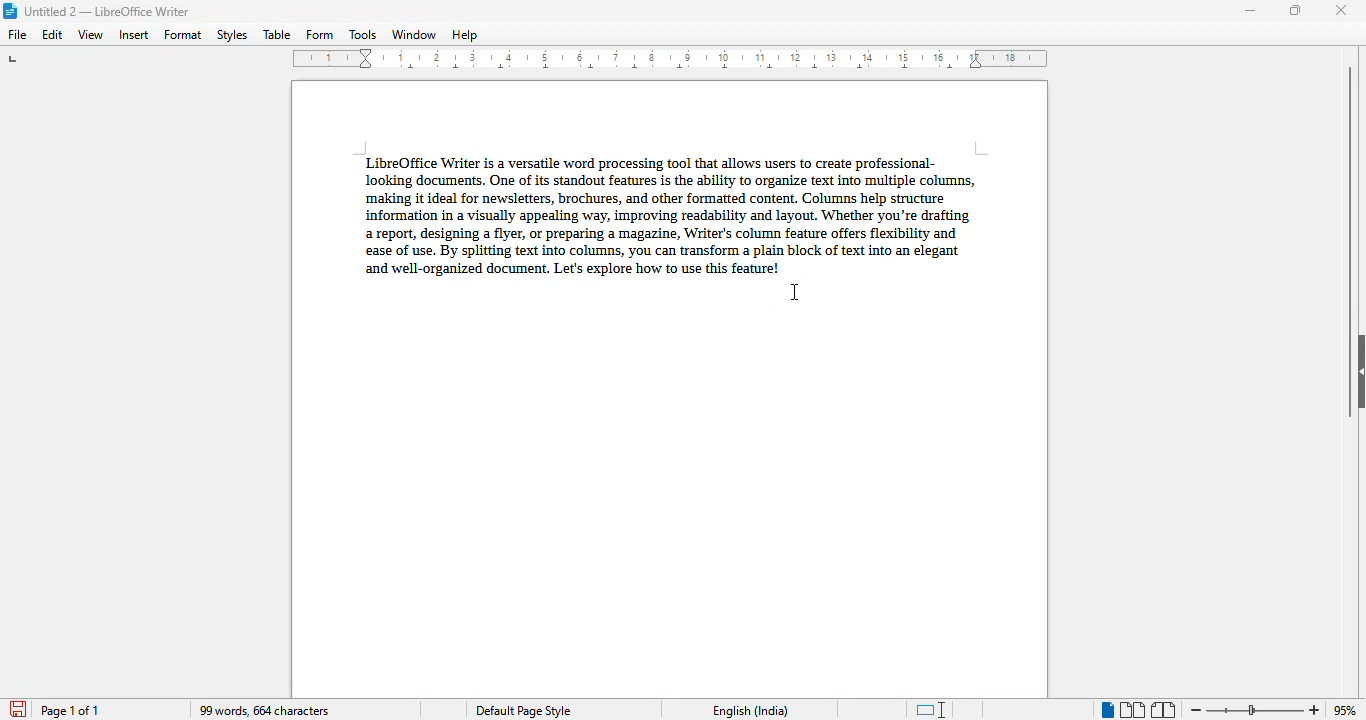 The height and width of the screenshot is (720, 1366). What do you see at coordinates (1250, 11) in the screenshot?
I see `minimize` at bounding box center [1250, 11].